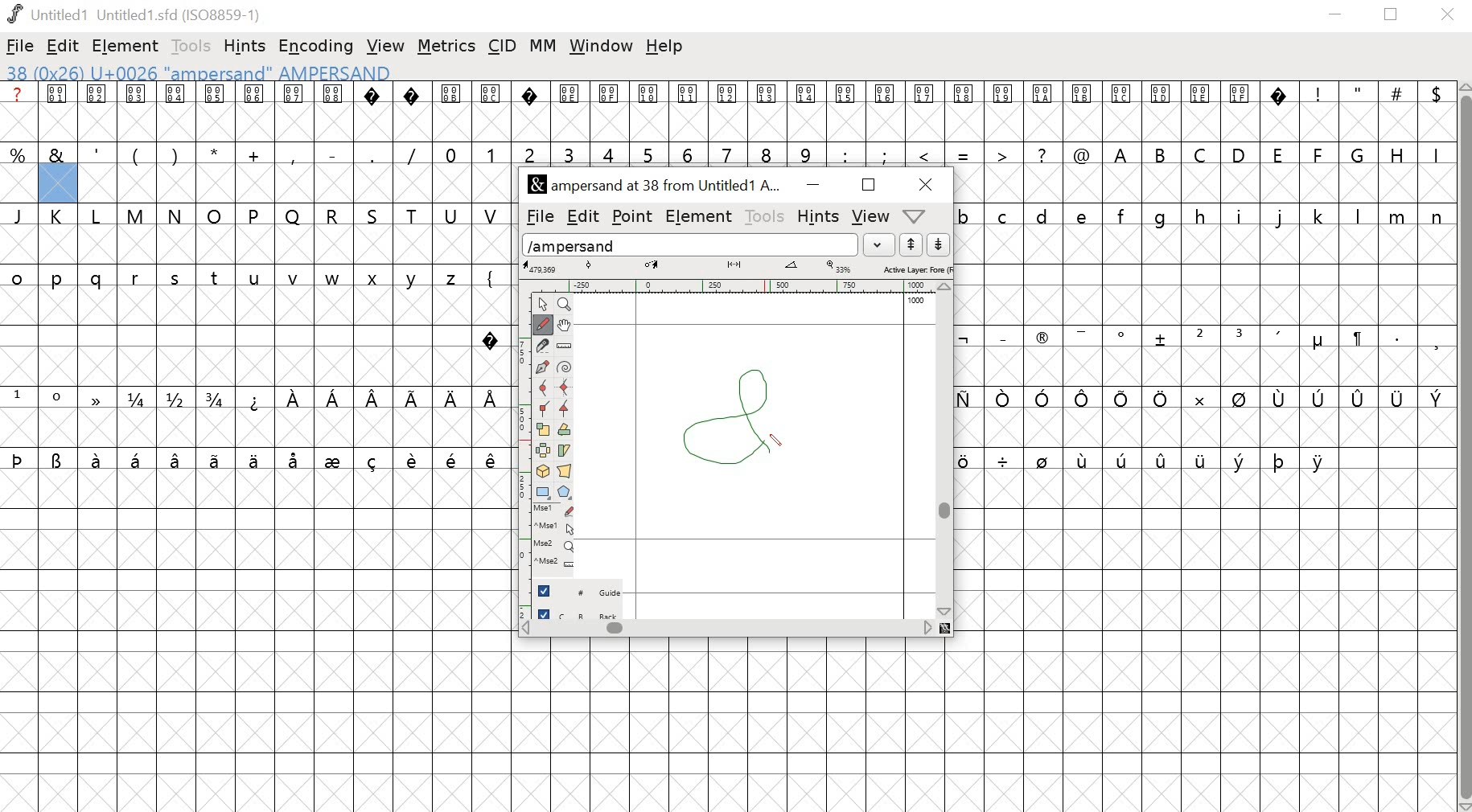  I want to click on r, so click(138, 279).